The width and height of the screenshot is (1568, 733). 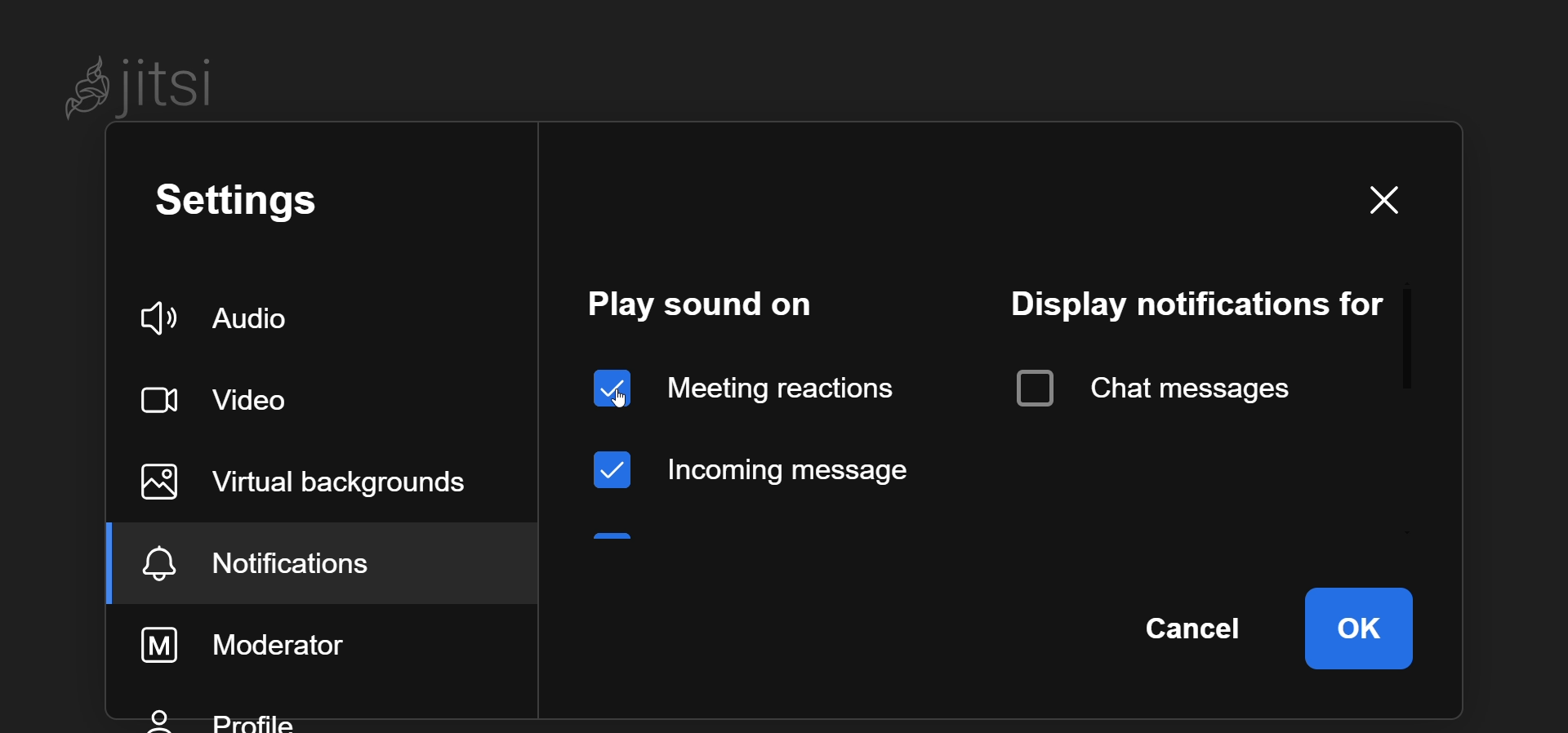 I want to click on audio, so click(x=245, y=325).